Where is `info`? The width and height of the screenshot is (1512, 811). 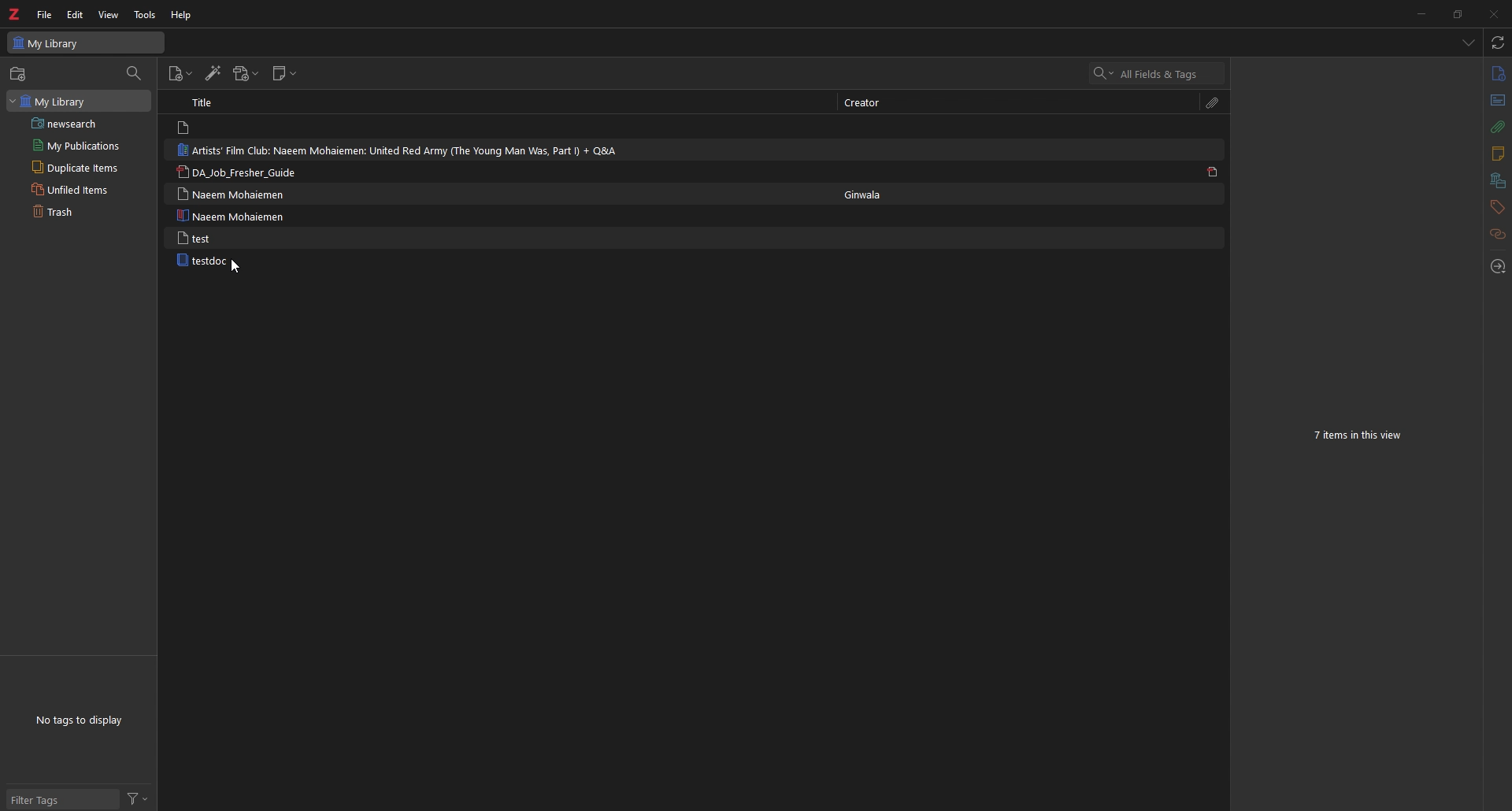
info is located at coordinates (1498, 74).